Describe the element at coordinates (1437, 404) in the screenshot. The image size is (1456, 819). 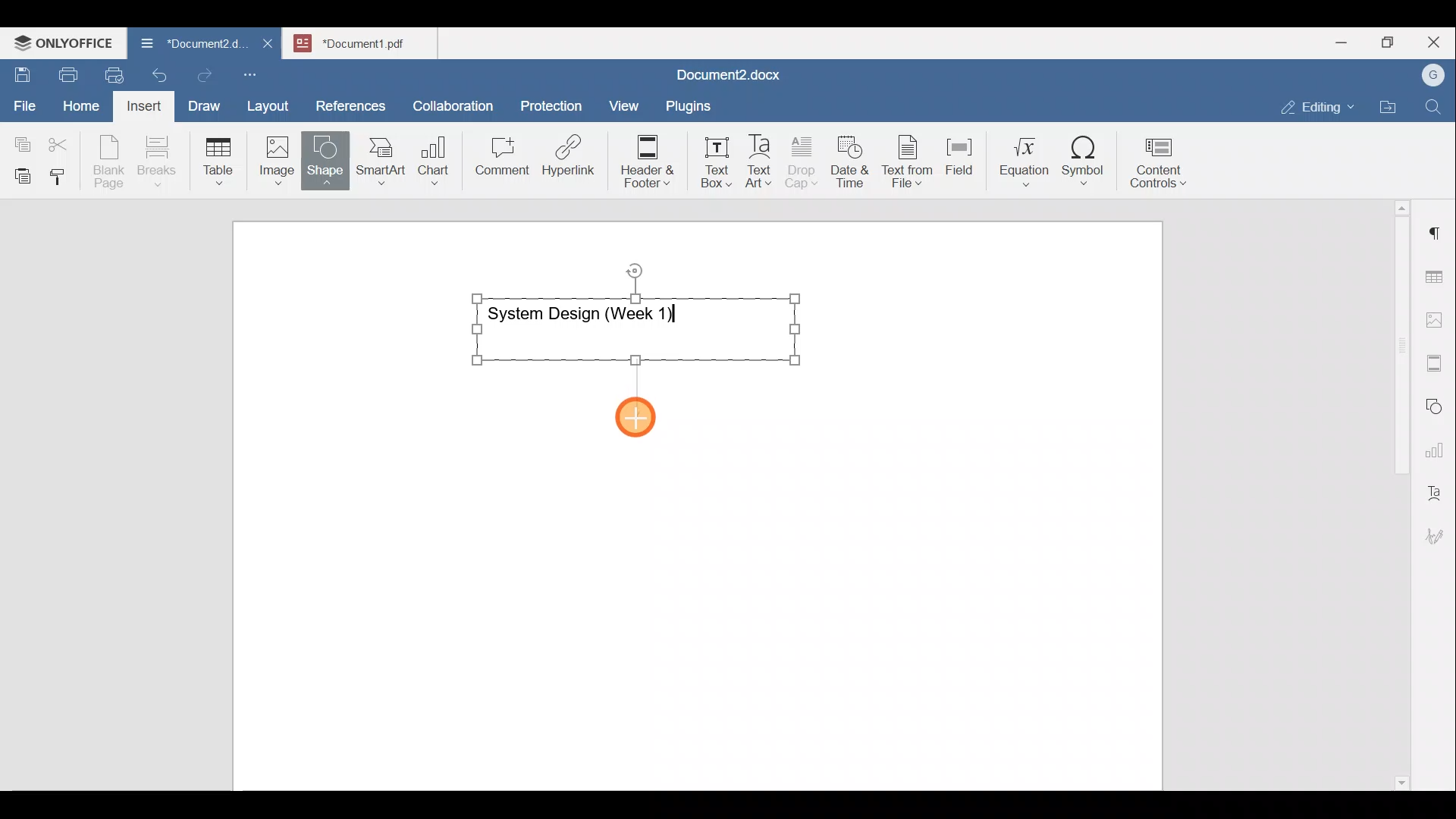
I see `Shapes settings` at that location.